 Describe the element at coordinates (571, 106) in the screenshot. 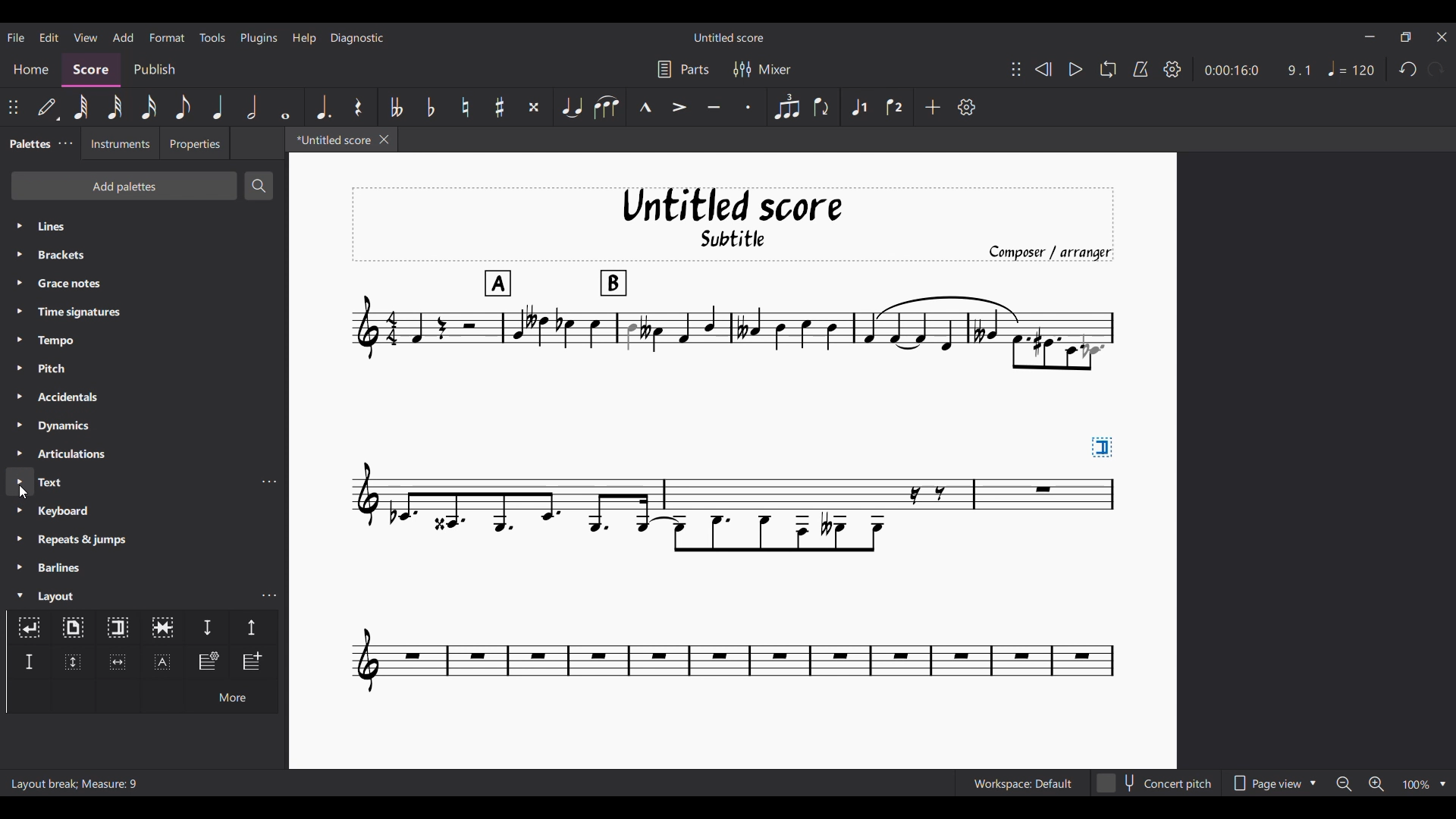

I see `Tie` at that location.